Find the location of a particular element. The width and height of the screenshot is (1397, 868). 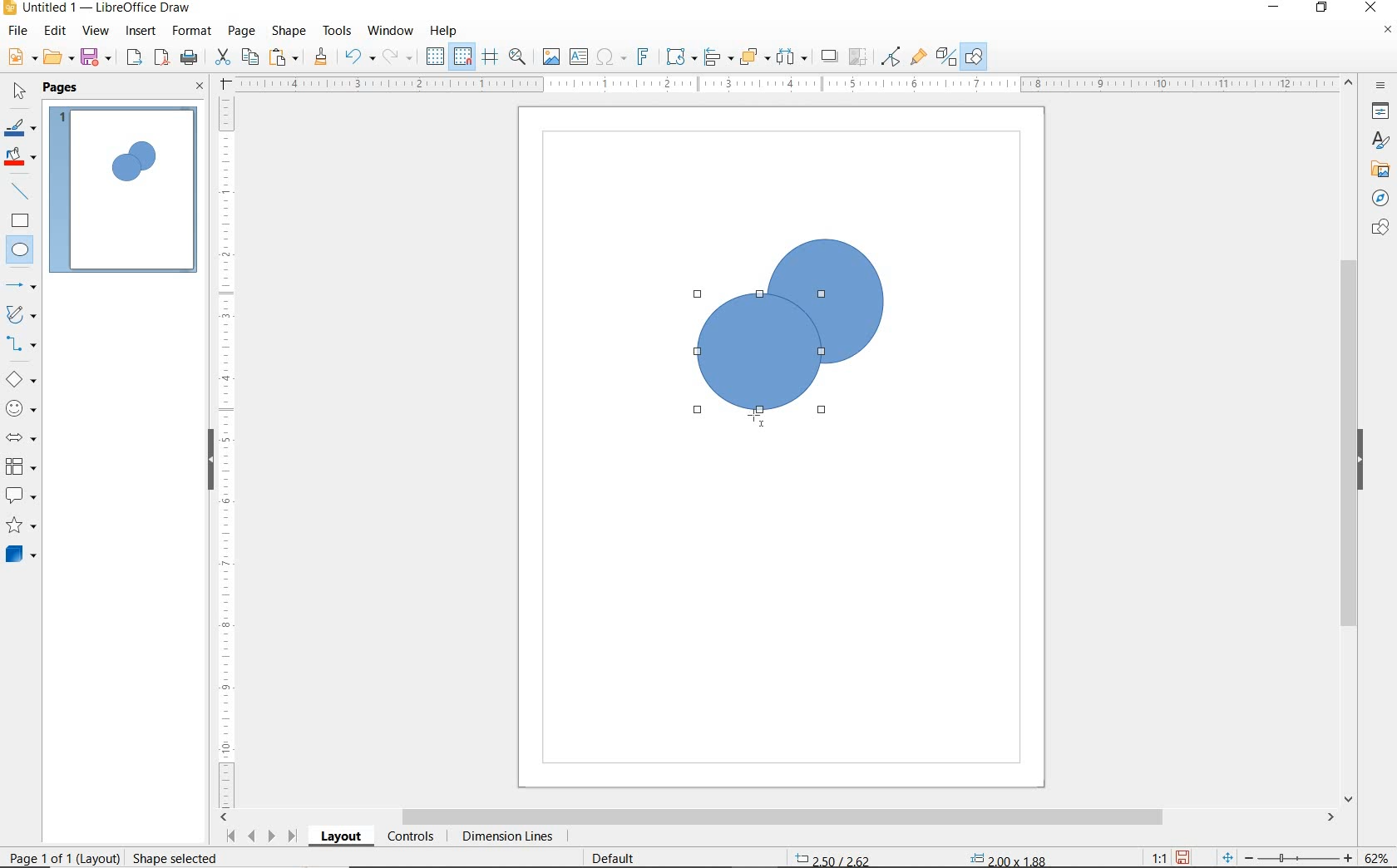

FORMAT is located at coordinates (193, 31).